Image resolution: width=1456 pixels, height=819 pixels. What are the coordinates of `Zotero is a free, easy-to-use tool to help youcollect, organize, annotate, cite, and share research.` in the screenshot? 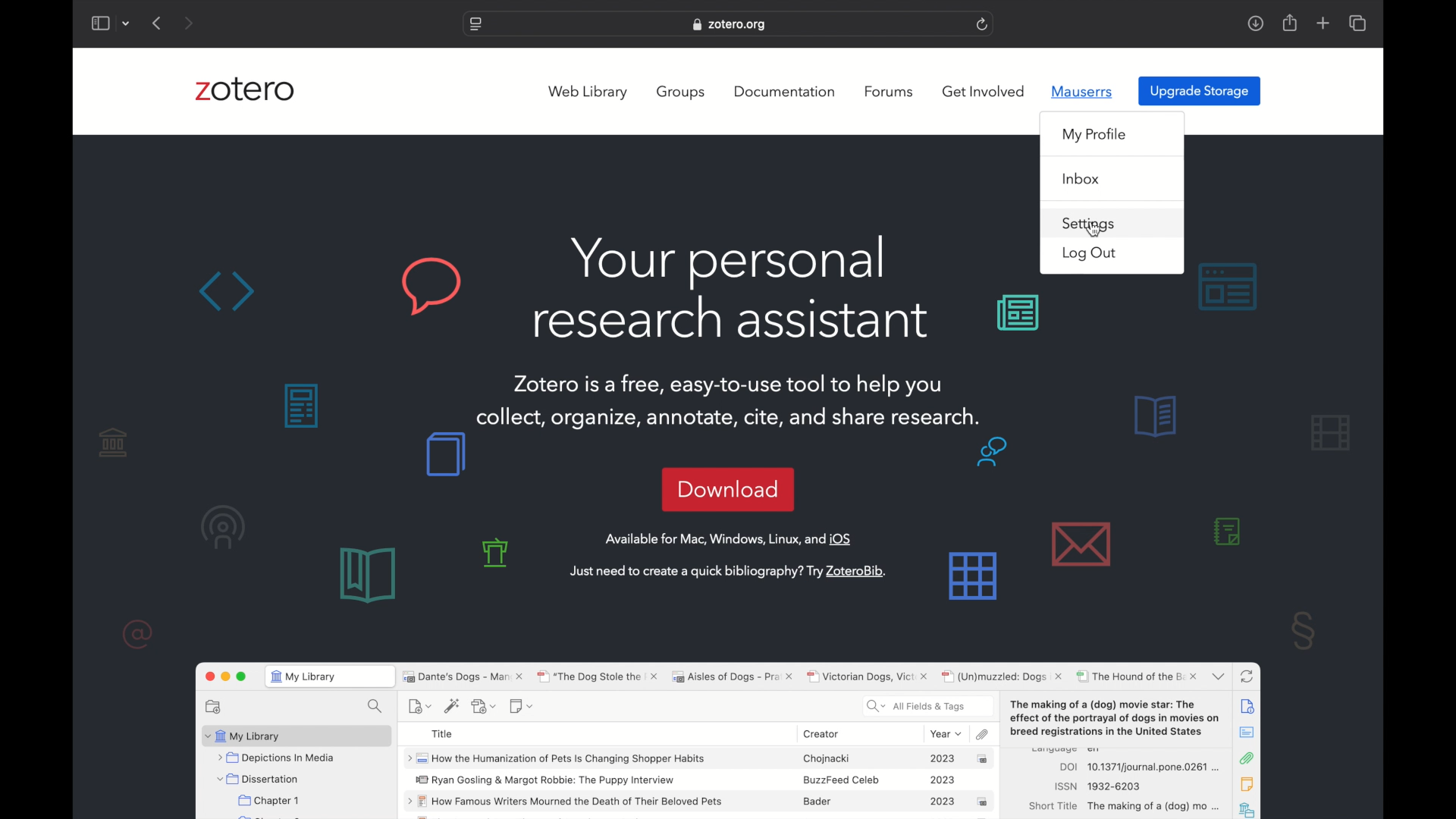 It's located at (731, 397).